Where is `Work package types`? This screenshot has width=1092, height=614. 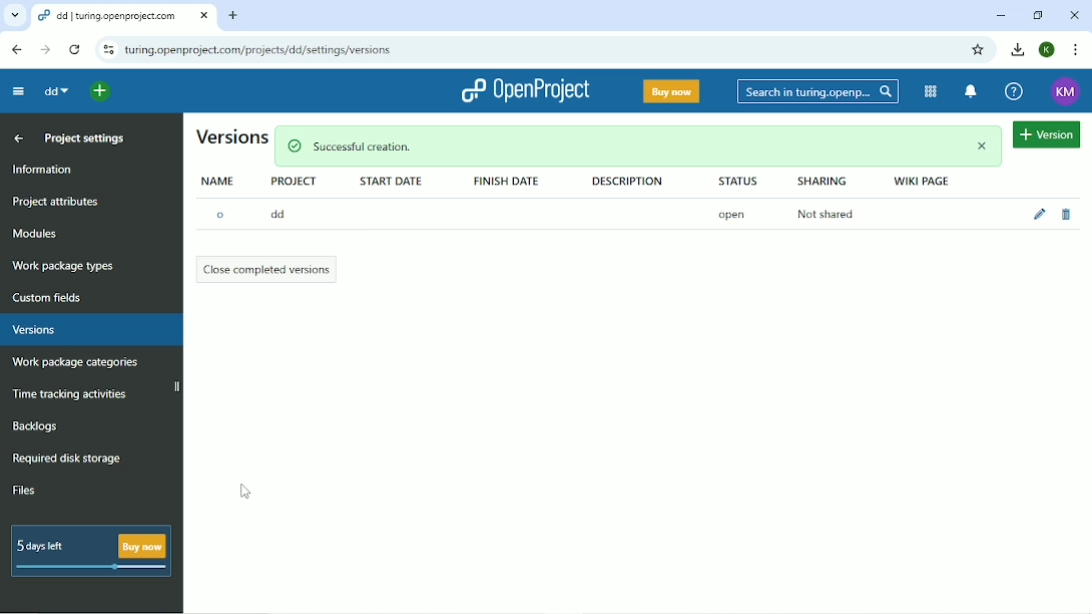
Work package types is located at coordinates (64, 267).